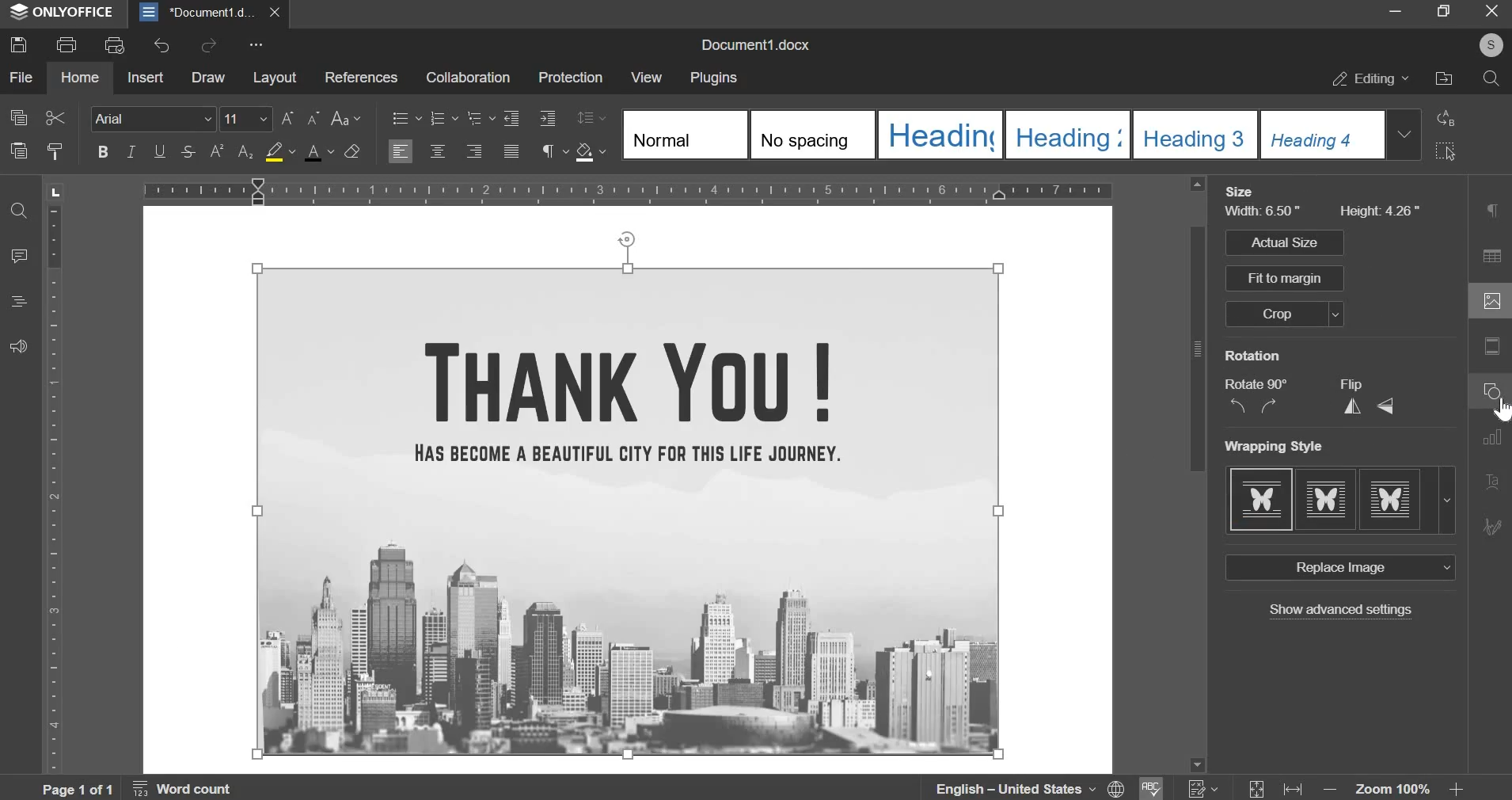  What do you see at coordinates (160, 150) in the screenshot?
I see `underline` at bounding box center [160, 150].